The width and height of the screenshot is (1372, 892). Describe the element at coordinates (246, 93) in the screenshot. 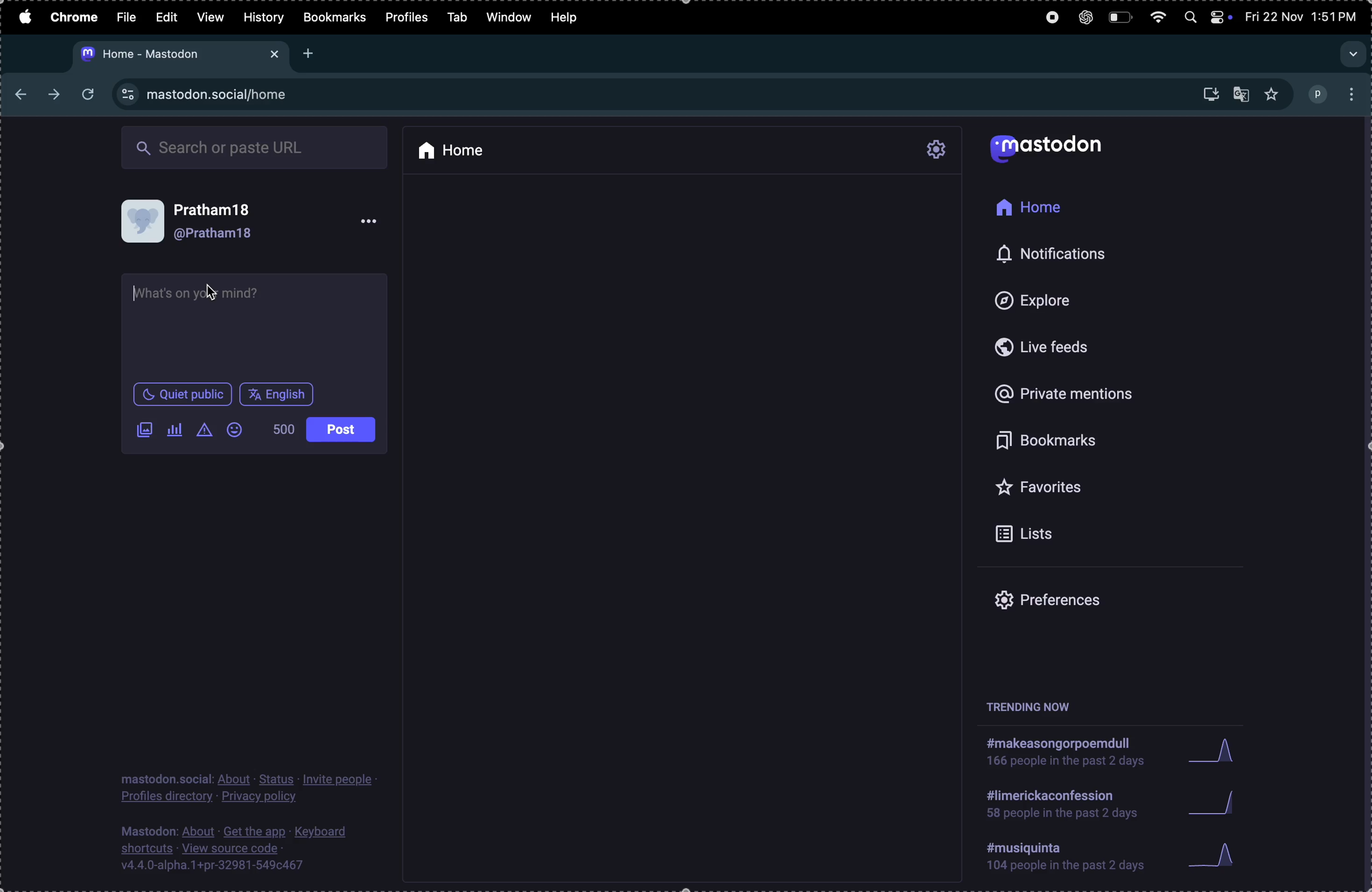

I see `site url` at that location.